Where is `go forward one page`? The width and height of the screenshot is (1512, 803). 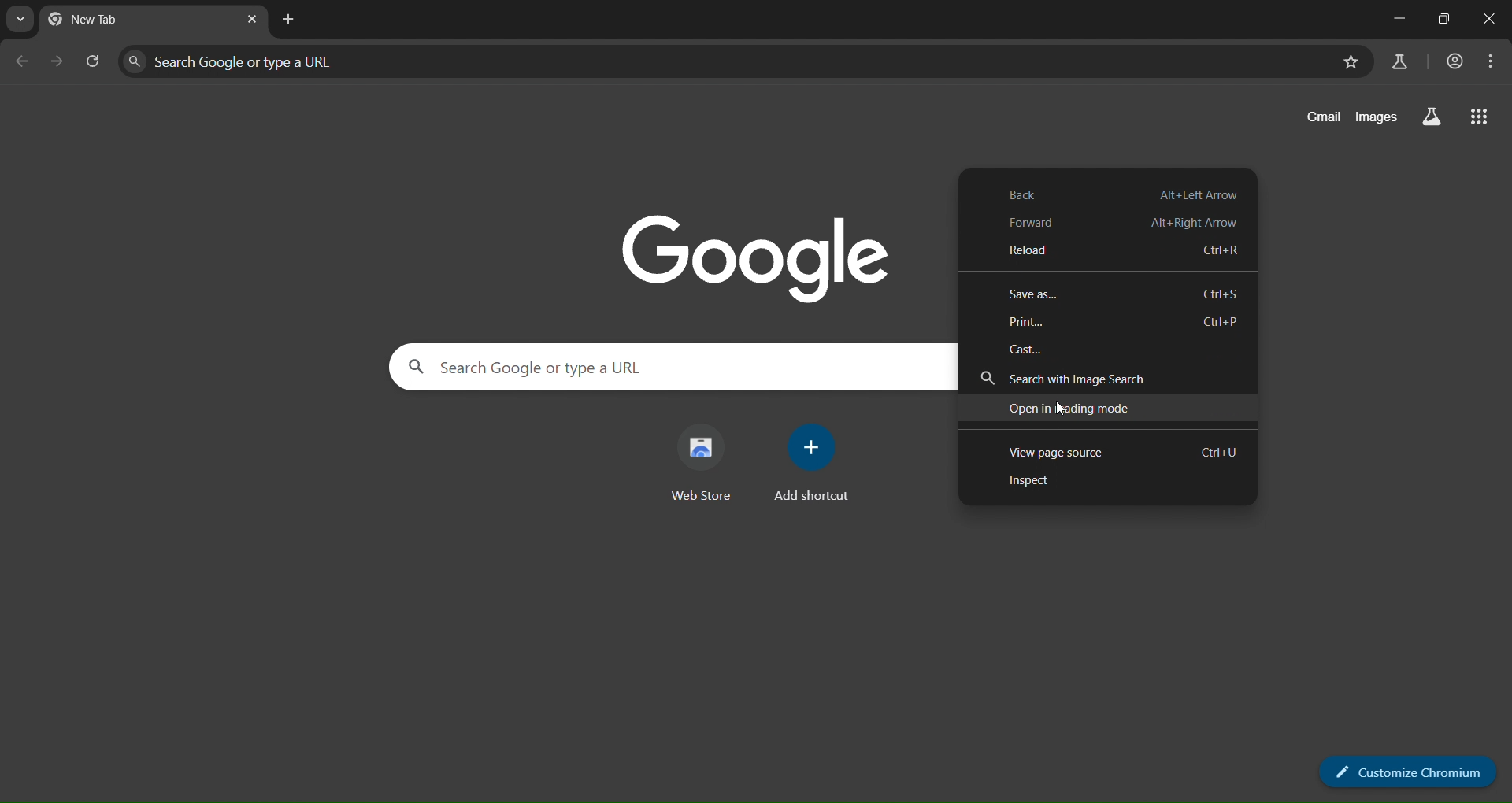
go forward one page is located at coordinates (56, 60).